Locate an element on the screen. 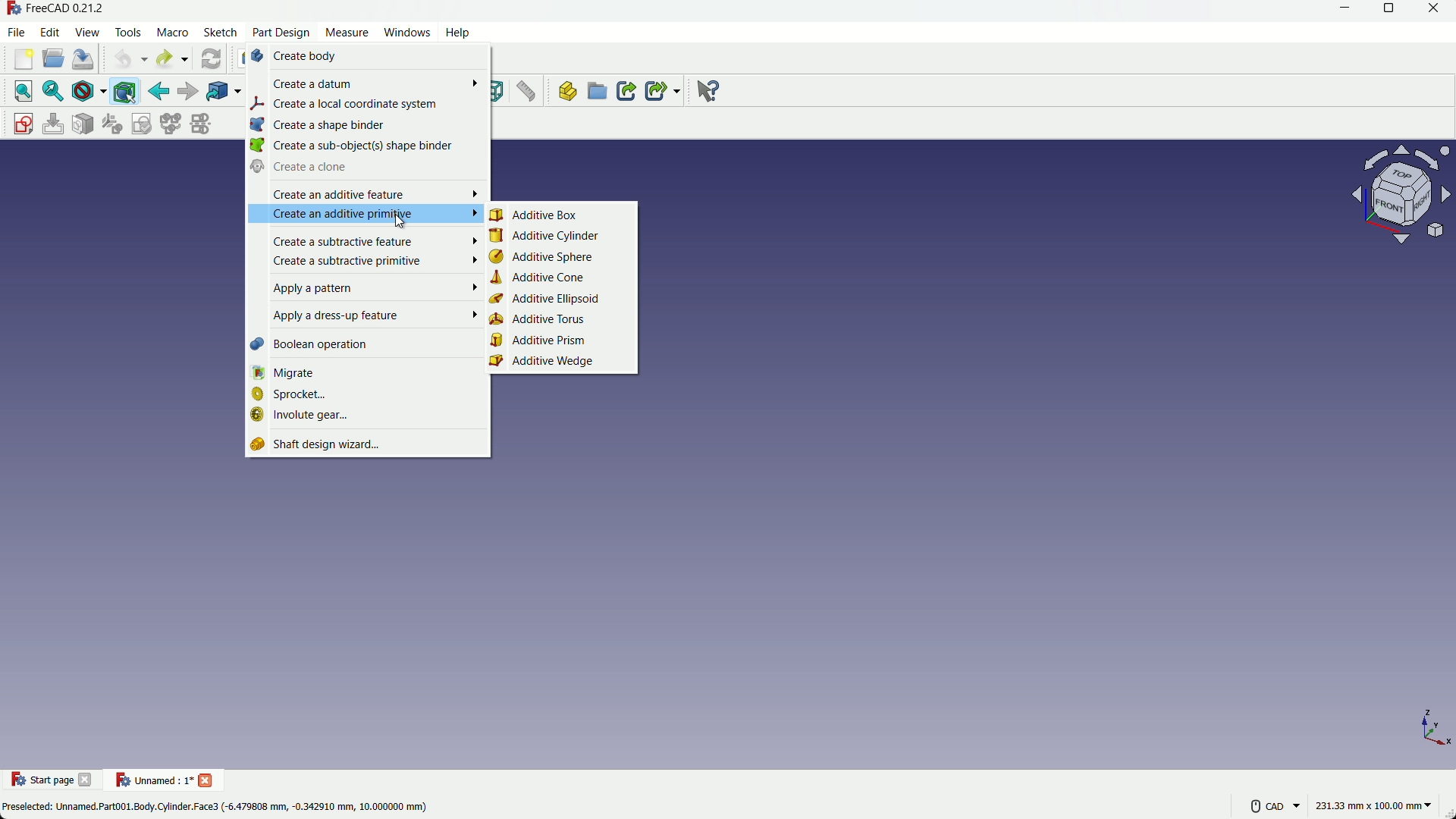 The width and height of the screenshot is (1456, 819). macros is located at coordinates (172, 33).